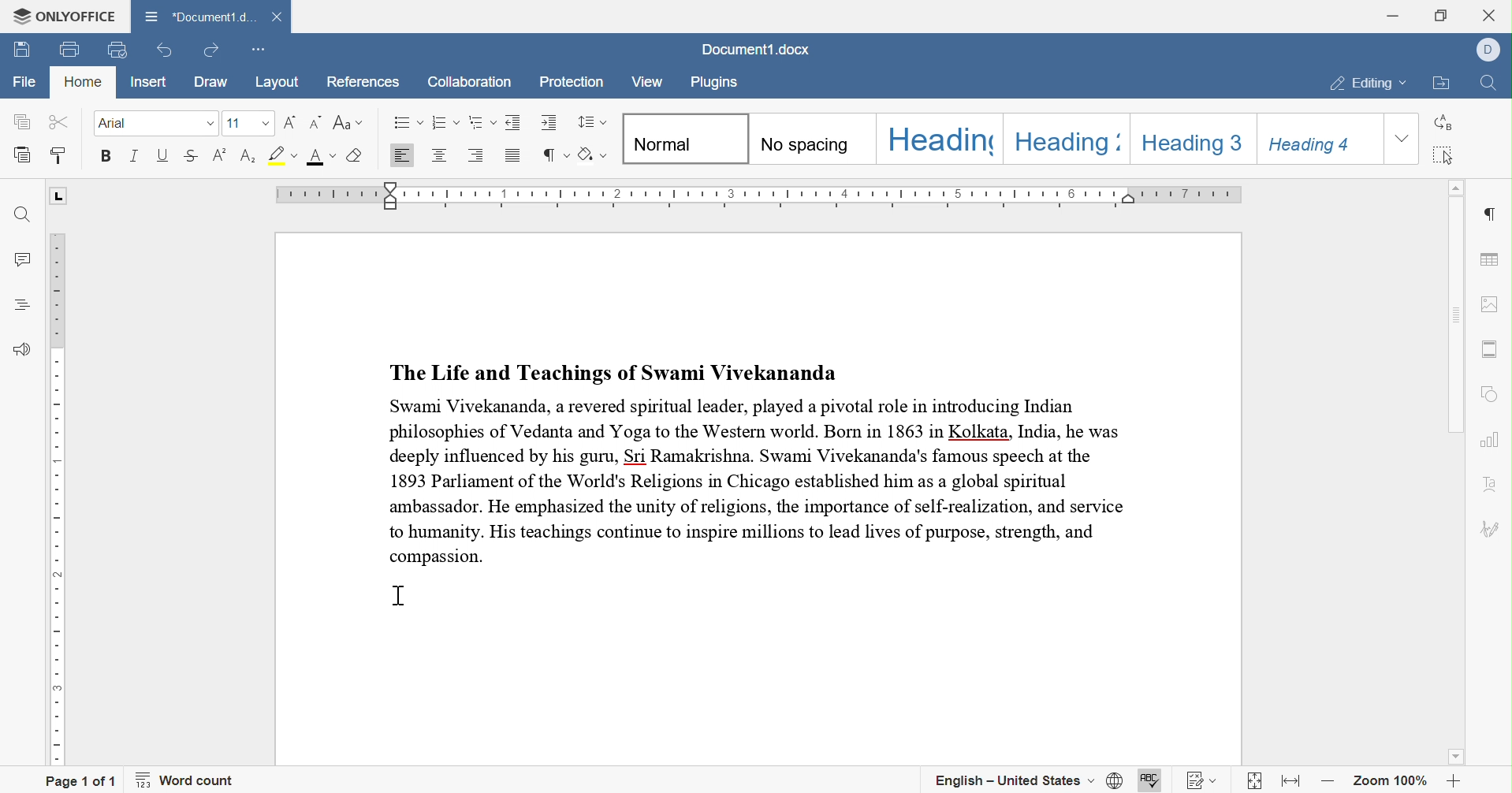  Describe the element at coordinates (760, 461) in the screenshot. I see `The Life and Teachings of Swami Vivekananda

Swami Vivekananda, a revered spiritual leader, played a pivotal role in introducing Indian
philosophies of Vedanta and Yoga to the Western world. Born in 1863 in Kolkata, India, he was
deeply influenced by his guru, Sri Ramakrishna. Swami Vivekananda's famous speech at the
1893 Parliament of the World's Religions in Chicago established him as a global spiritual
ambassador. He emphasized the unity of religions, the importance of self-realization, and service
to humanity. His teachings continue to inspire millions to lead lives of purpose, strength, and
compassion.` at that location.